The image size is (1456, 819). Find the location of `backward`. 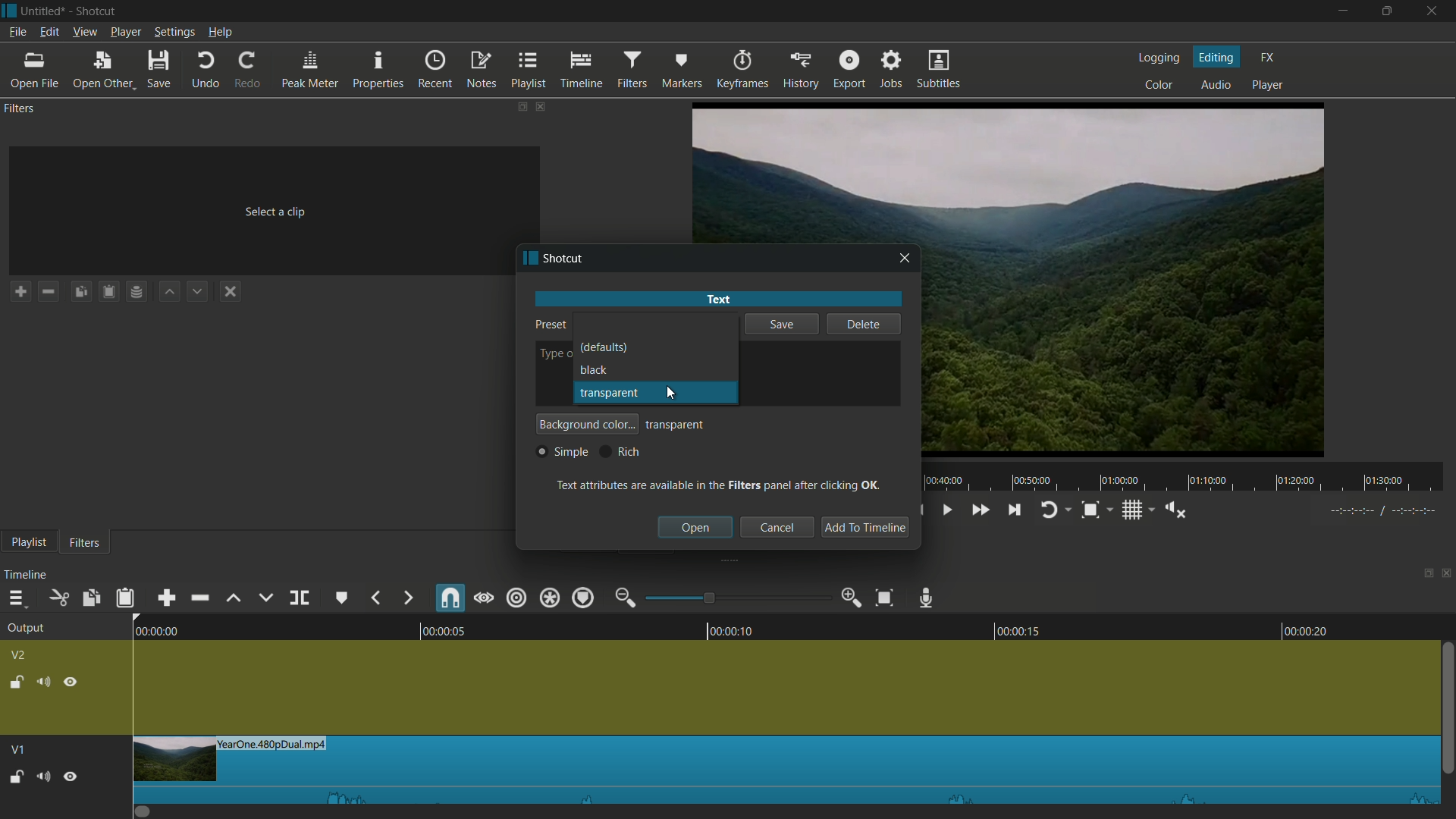

backward is located at coordinates (375, 596).